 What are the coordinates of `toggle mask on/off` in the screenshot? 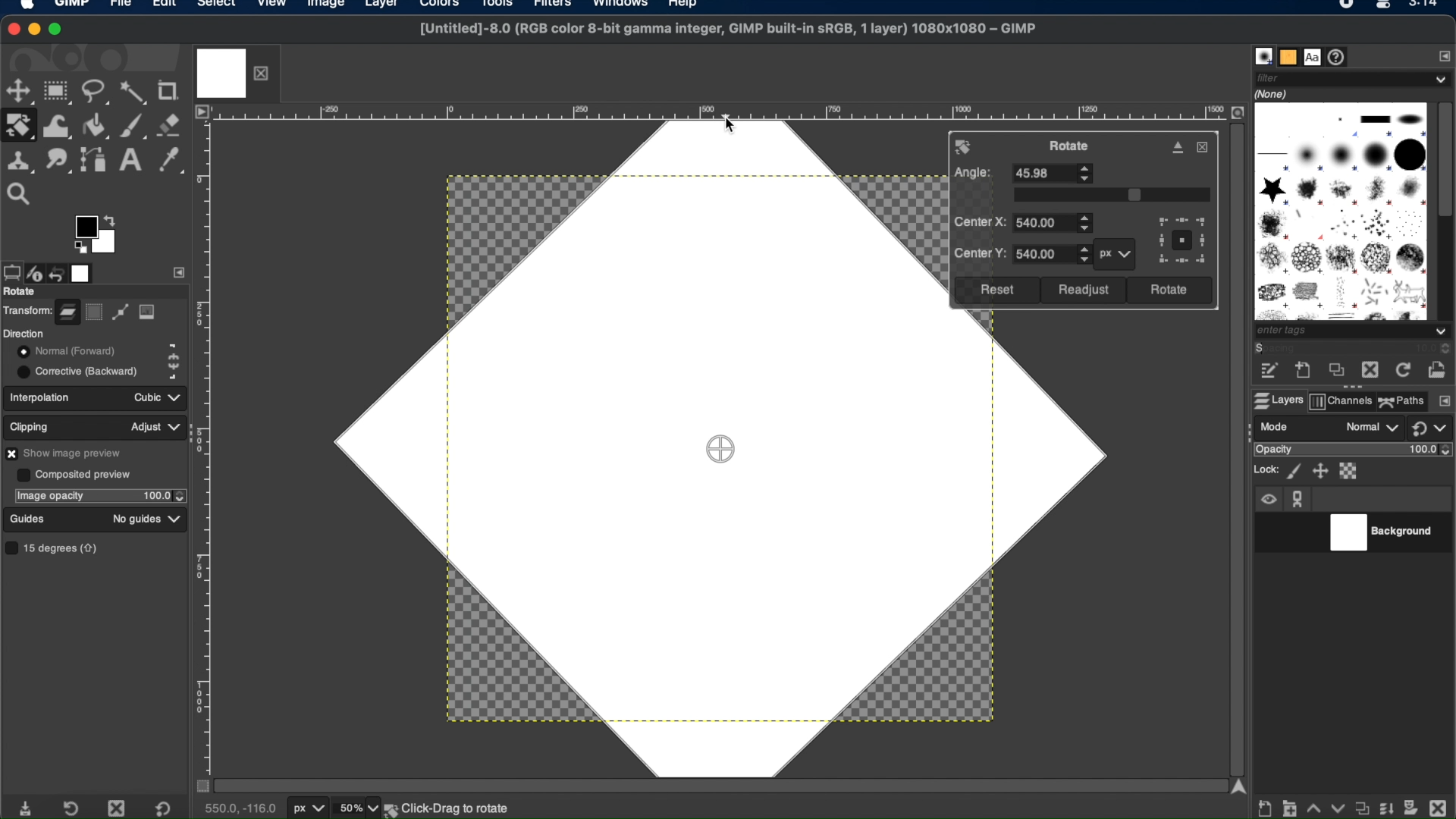 It's located at (198, 786).